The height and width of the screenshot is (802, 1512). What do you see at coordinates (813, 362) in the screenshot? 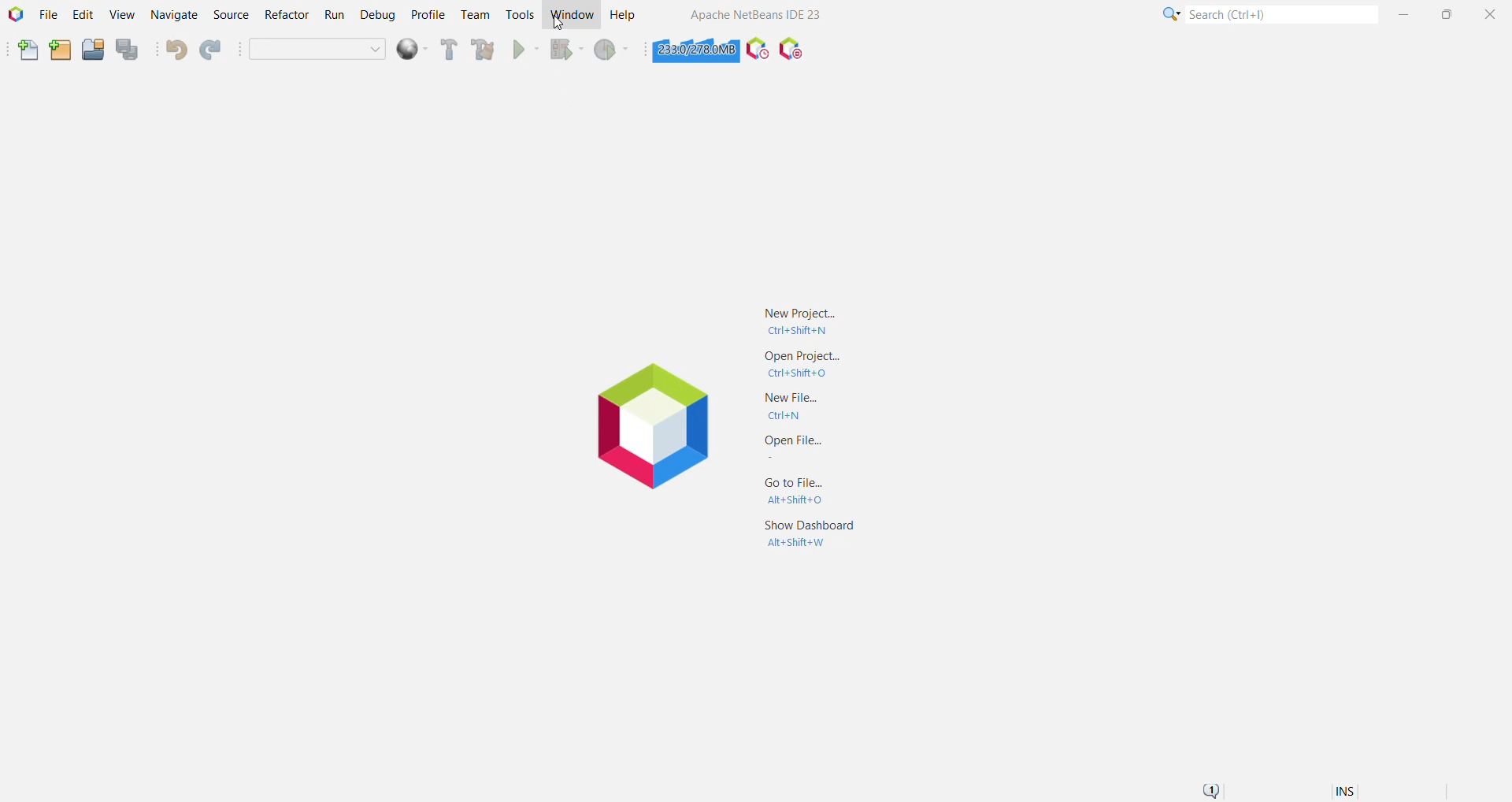
I see `Open Project` at bounding box center [813, 362].